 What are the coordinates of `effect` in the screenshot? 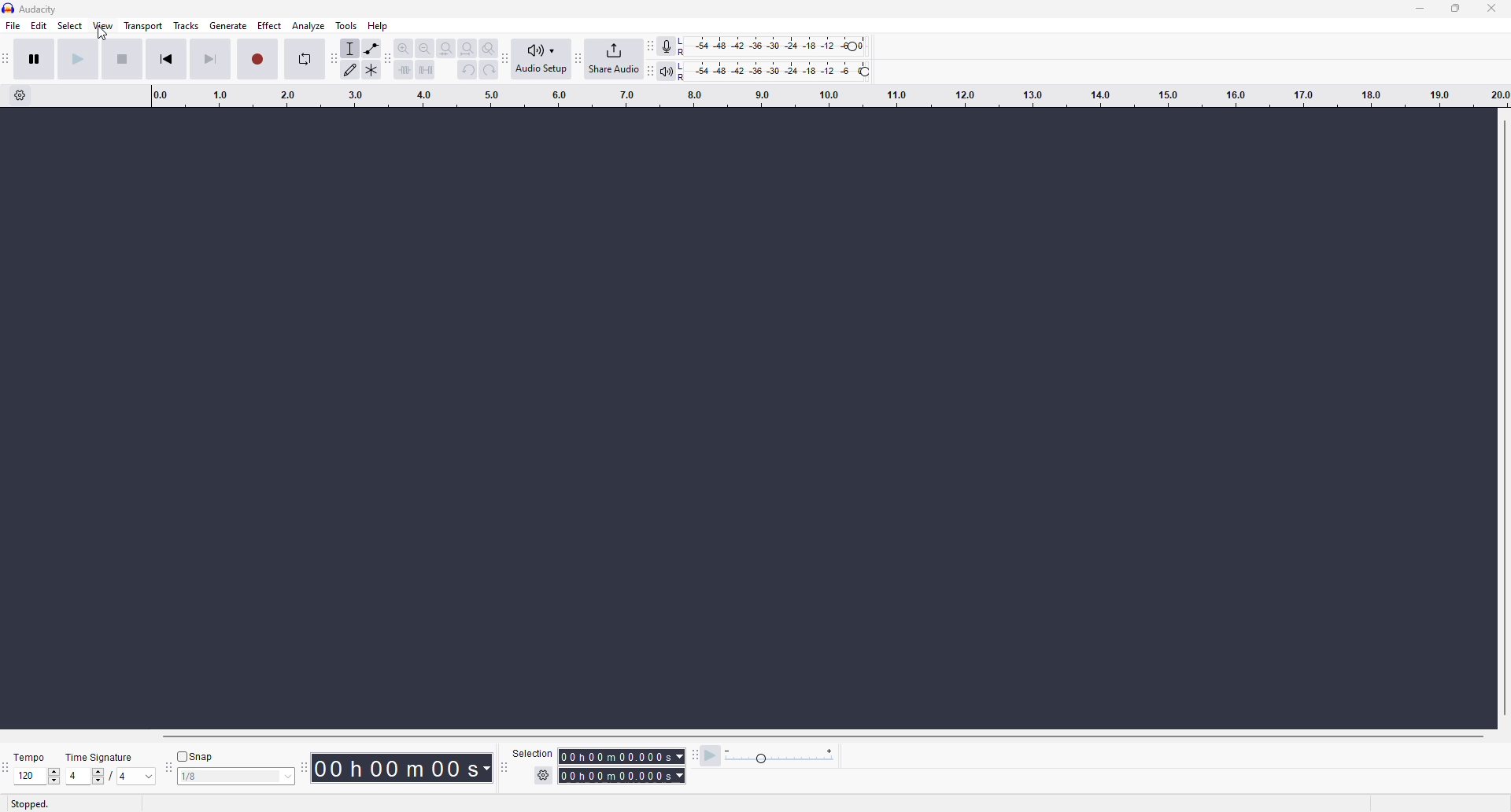 It's located at (270, 25).